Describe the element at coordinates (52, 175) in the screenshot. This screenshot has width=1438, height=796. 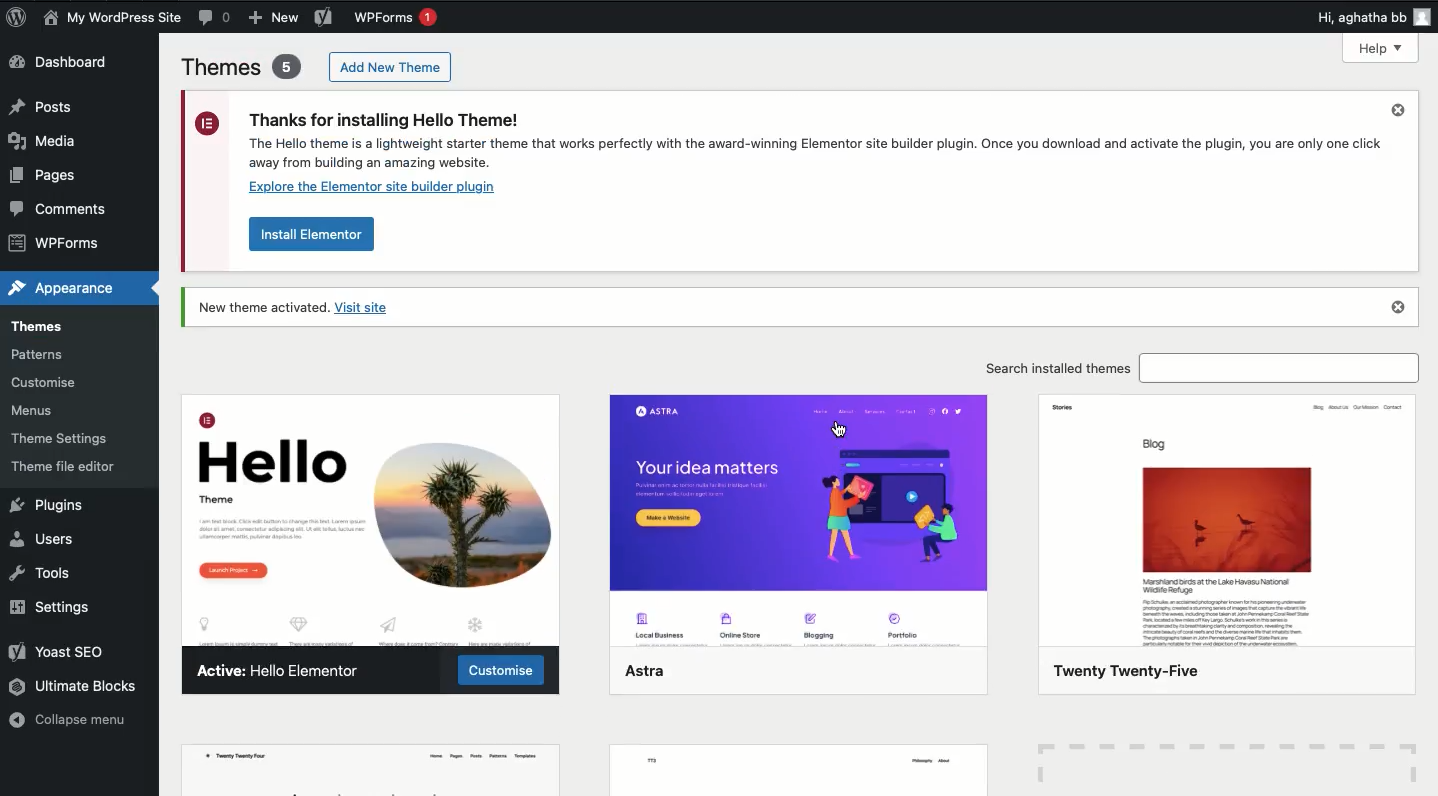
I see `Pages` at that location.